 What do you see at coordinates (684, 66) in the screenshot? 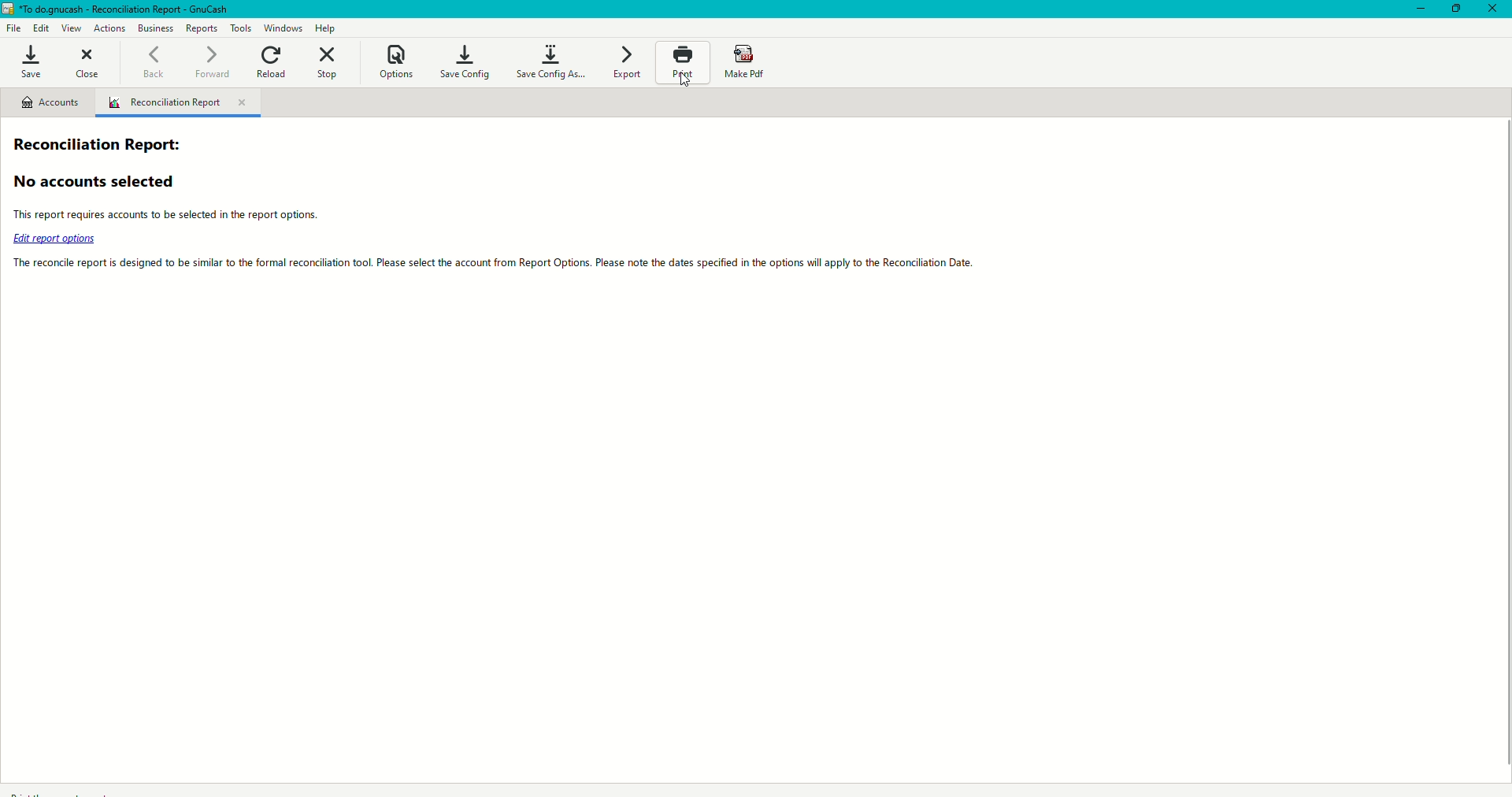
I see `Print` at bounding box center [684, 66].